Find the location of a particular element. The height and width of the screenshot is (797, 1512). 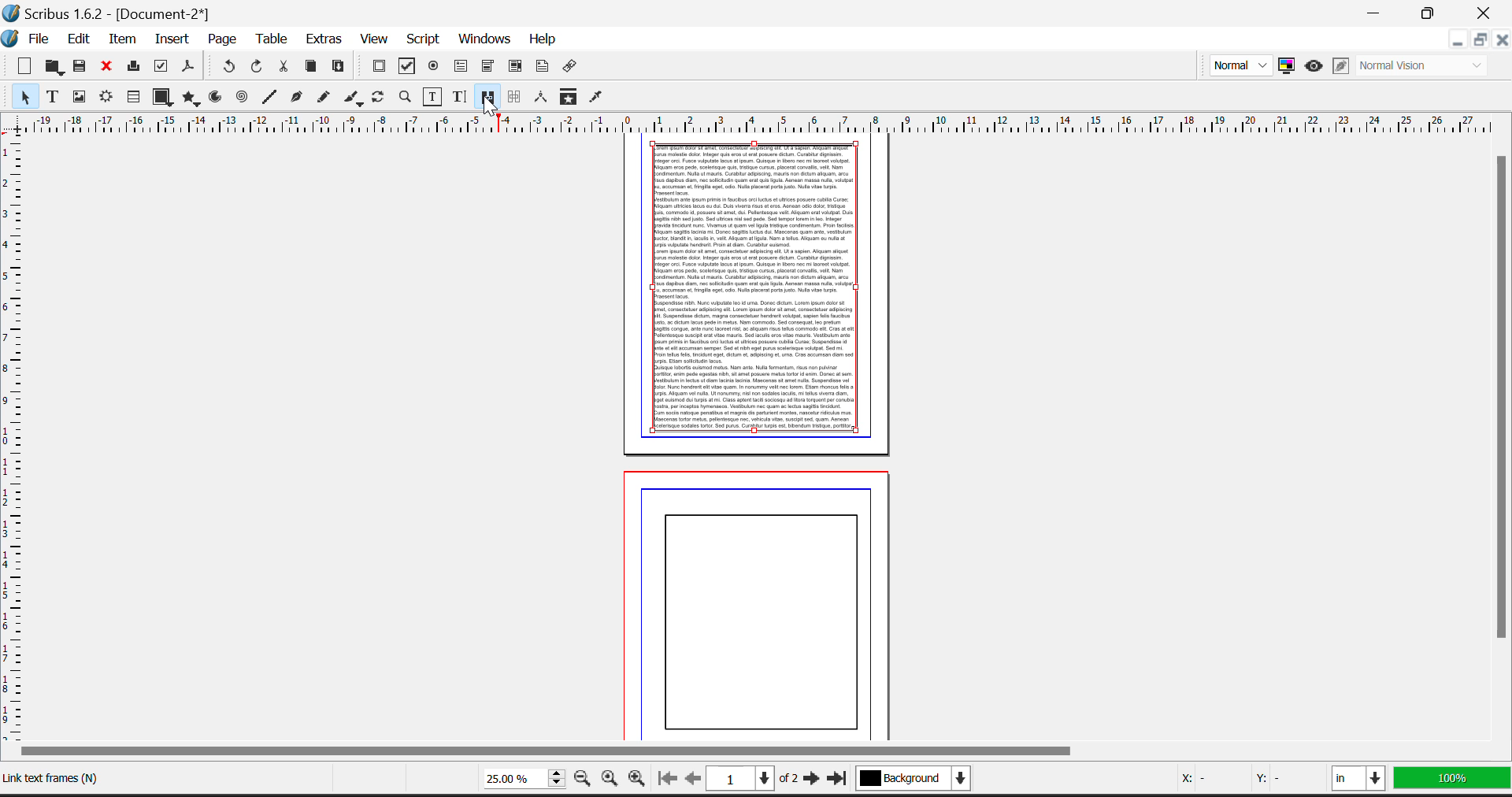

Minimize is located at coordinates (1478, 42).